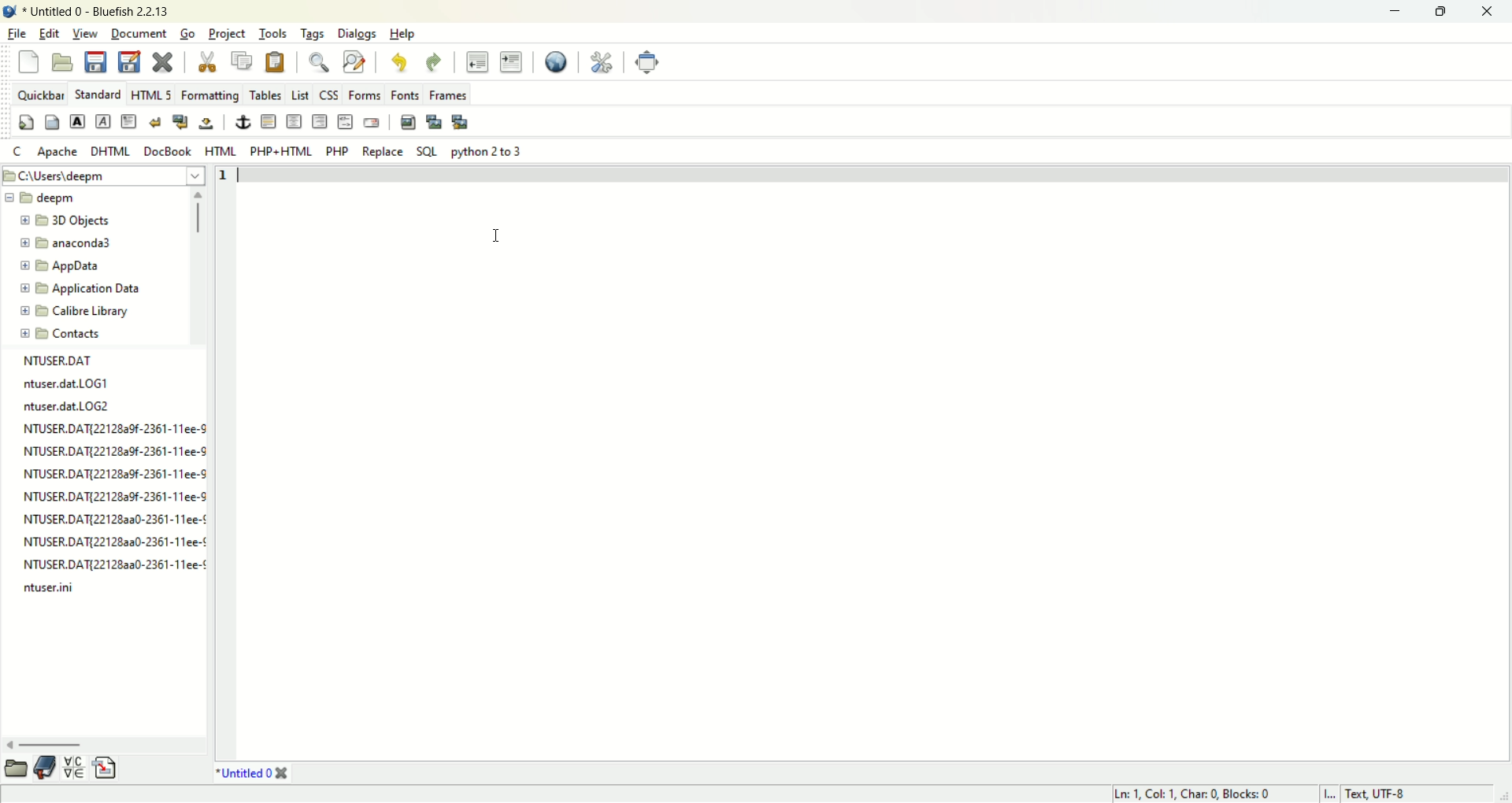  What do you see at coordinates (72, 246) in the screenshot?
I see `anaconda` at bounding box center [72, 246].